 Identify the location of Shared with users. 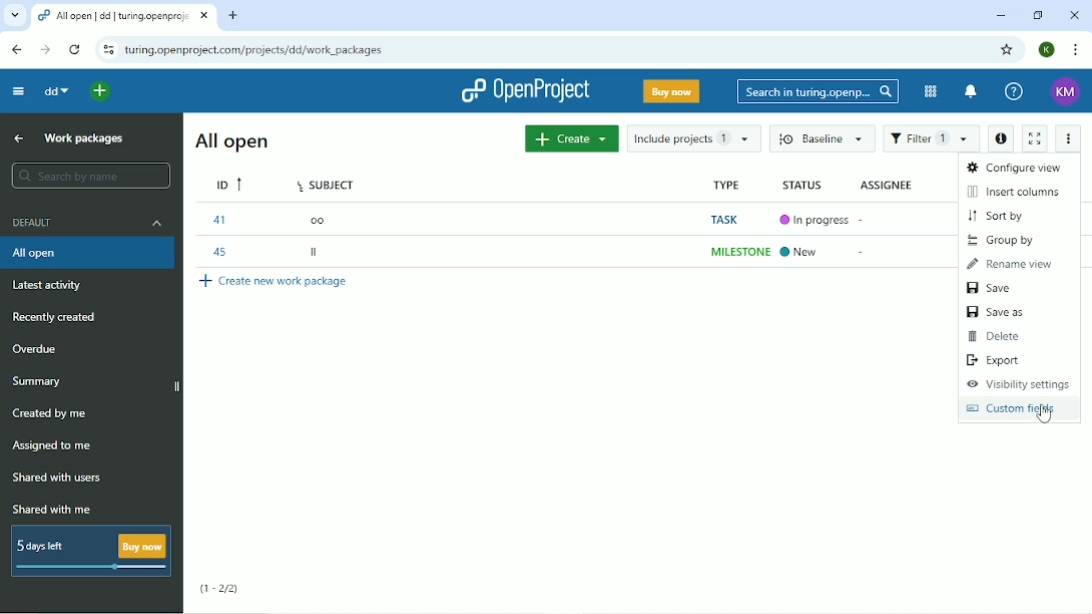
(55, 479).